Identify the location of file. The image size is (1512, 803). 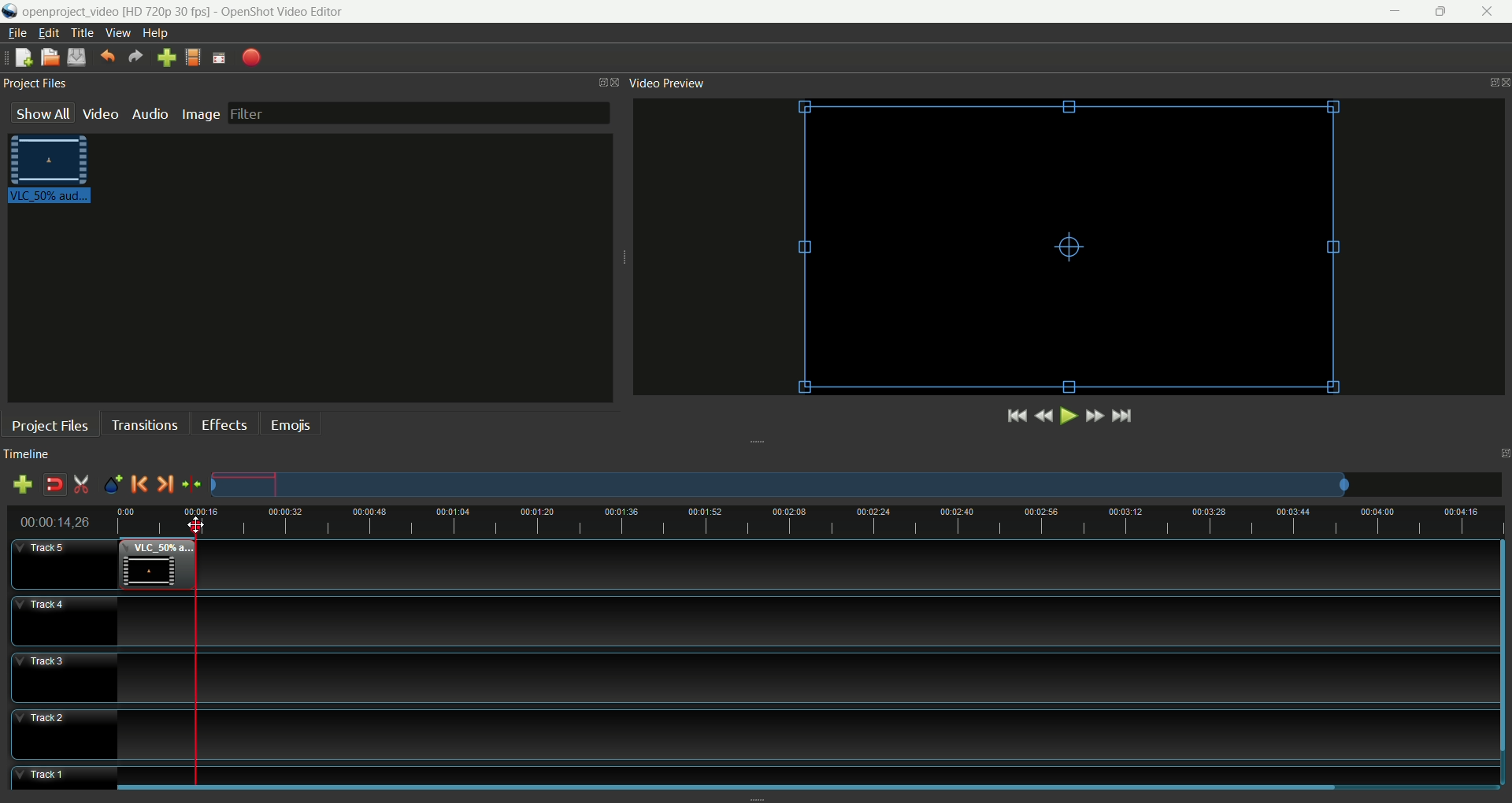
(17, 33).